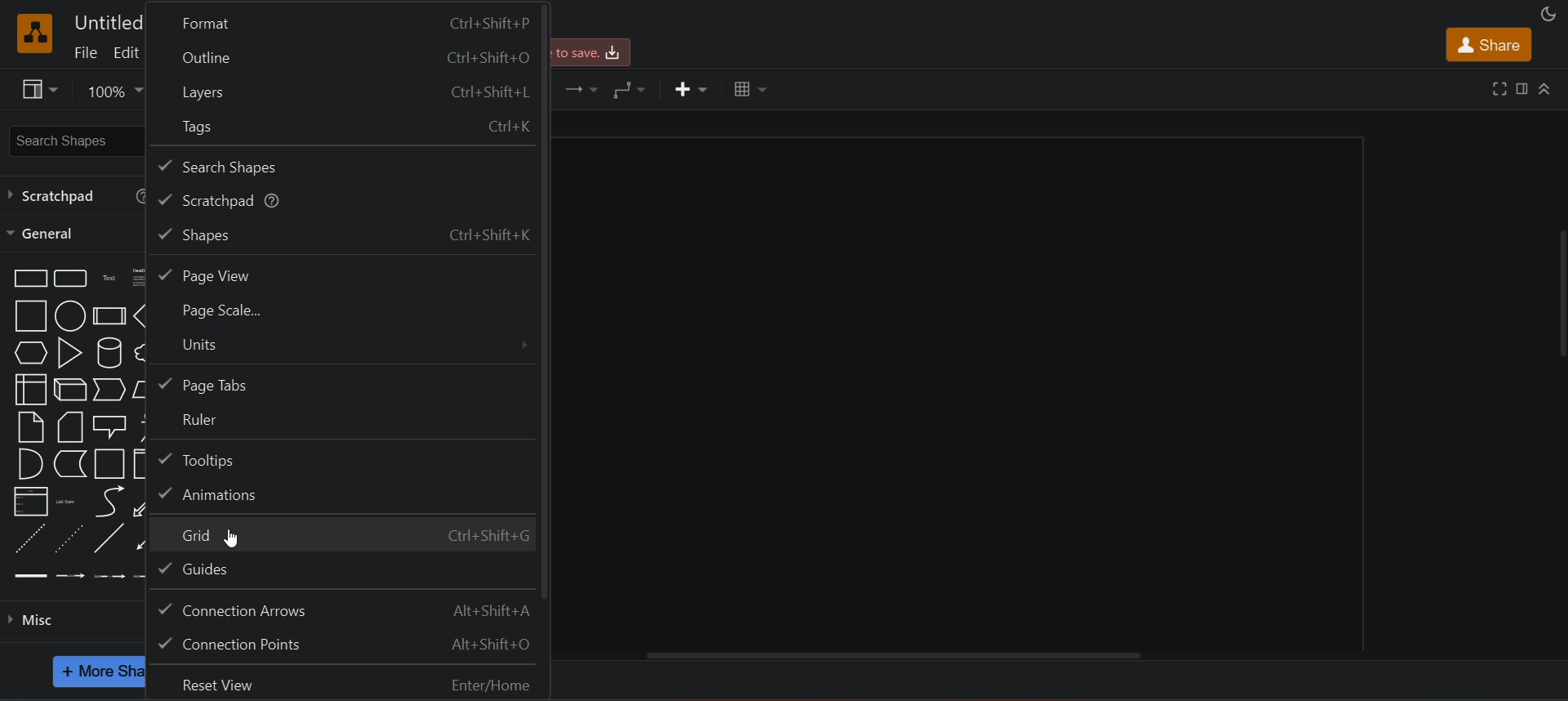 The height and width of the screenshot is (701, 1568). What do you see at coordinates (346, 278) in the screenshot?
I see `page view` at bounding box center [346, 278].